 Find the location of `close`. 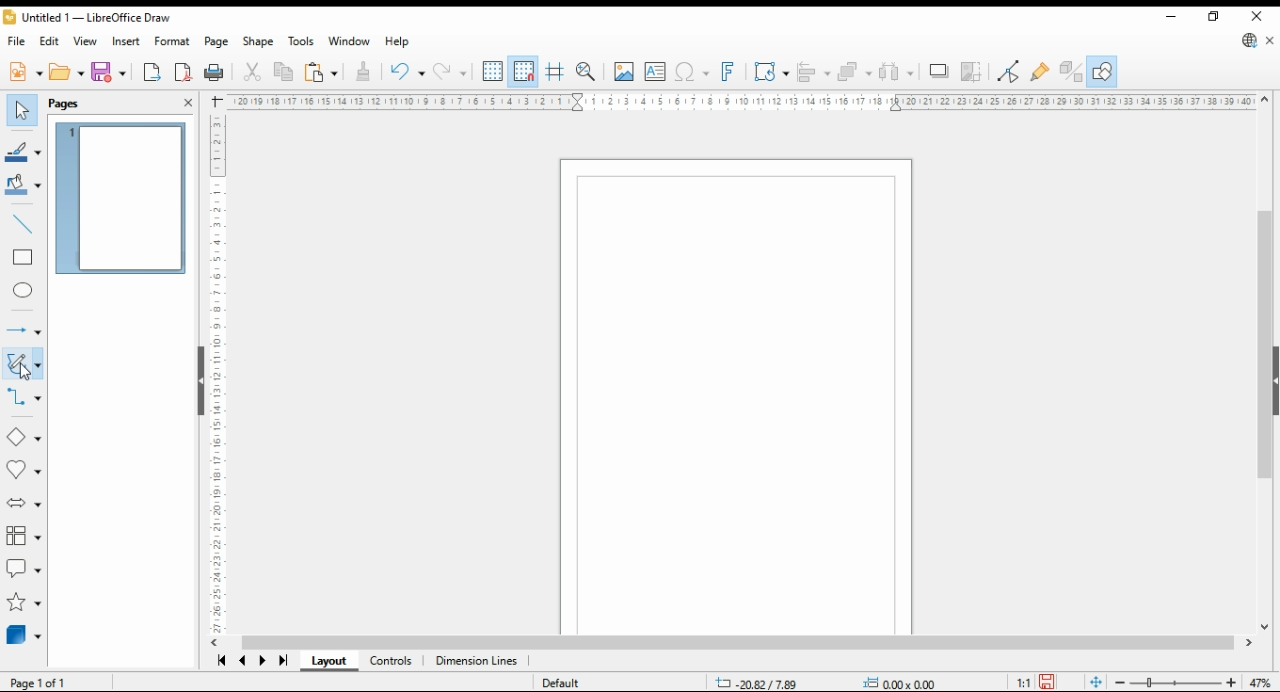

close is located at coordinates (1261, 17).